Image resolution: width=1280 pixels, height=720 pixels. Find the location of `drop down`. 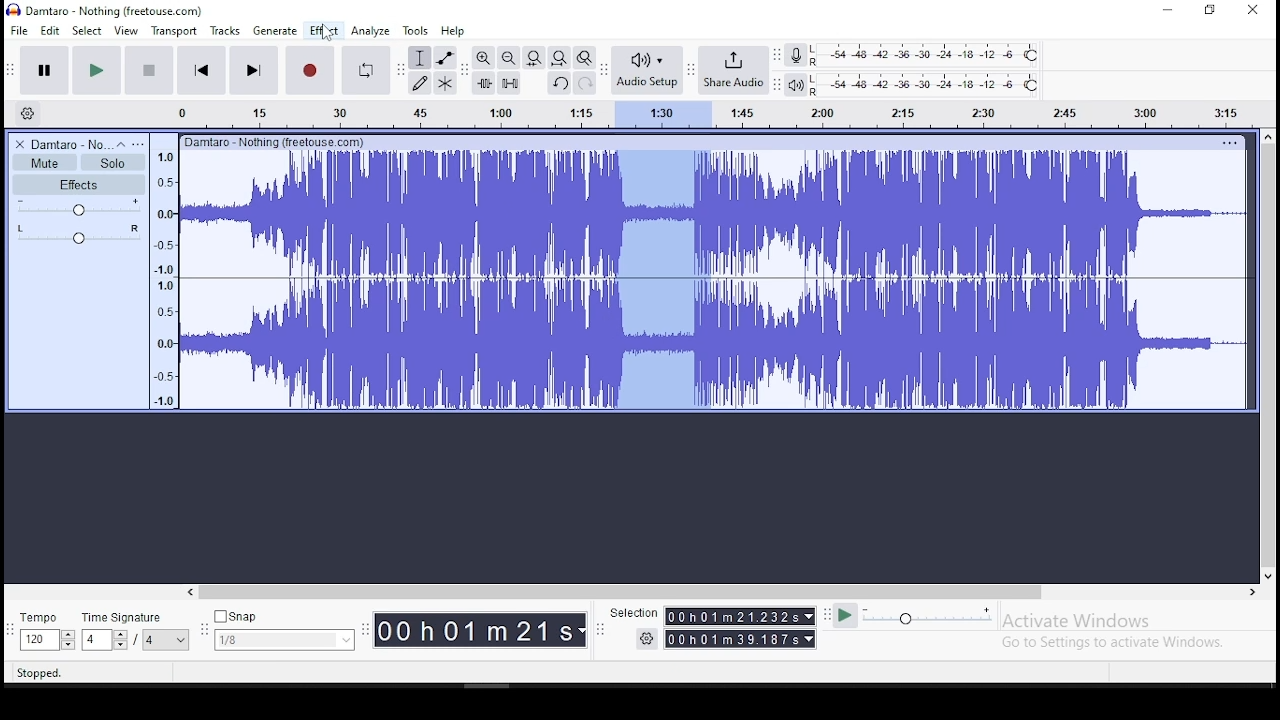

drop down is located at coordinates (583, 631).